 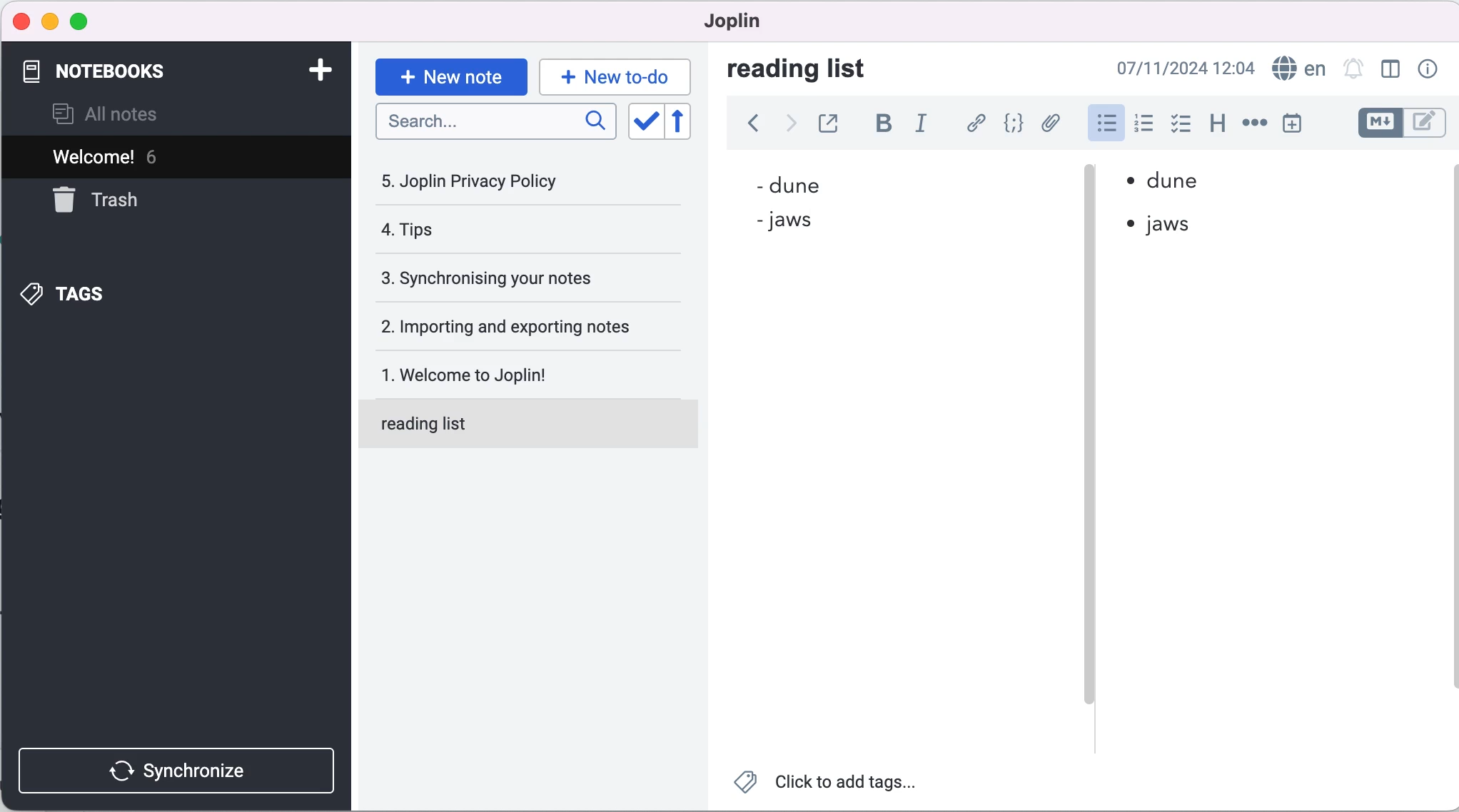 What do you see at coordinates (525, 280) in the screenshot?
I see `synchronising your notes` at bounding box center [525, 280].